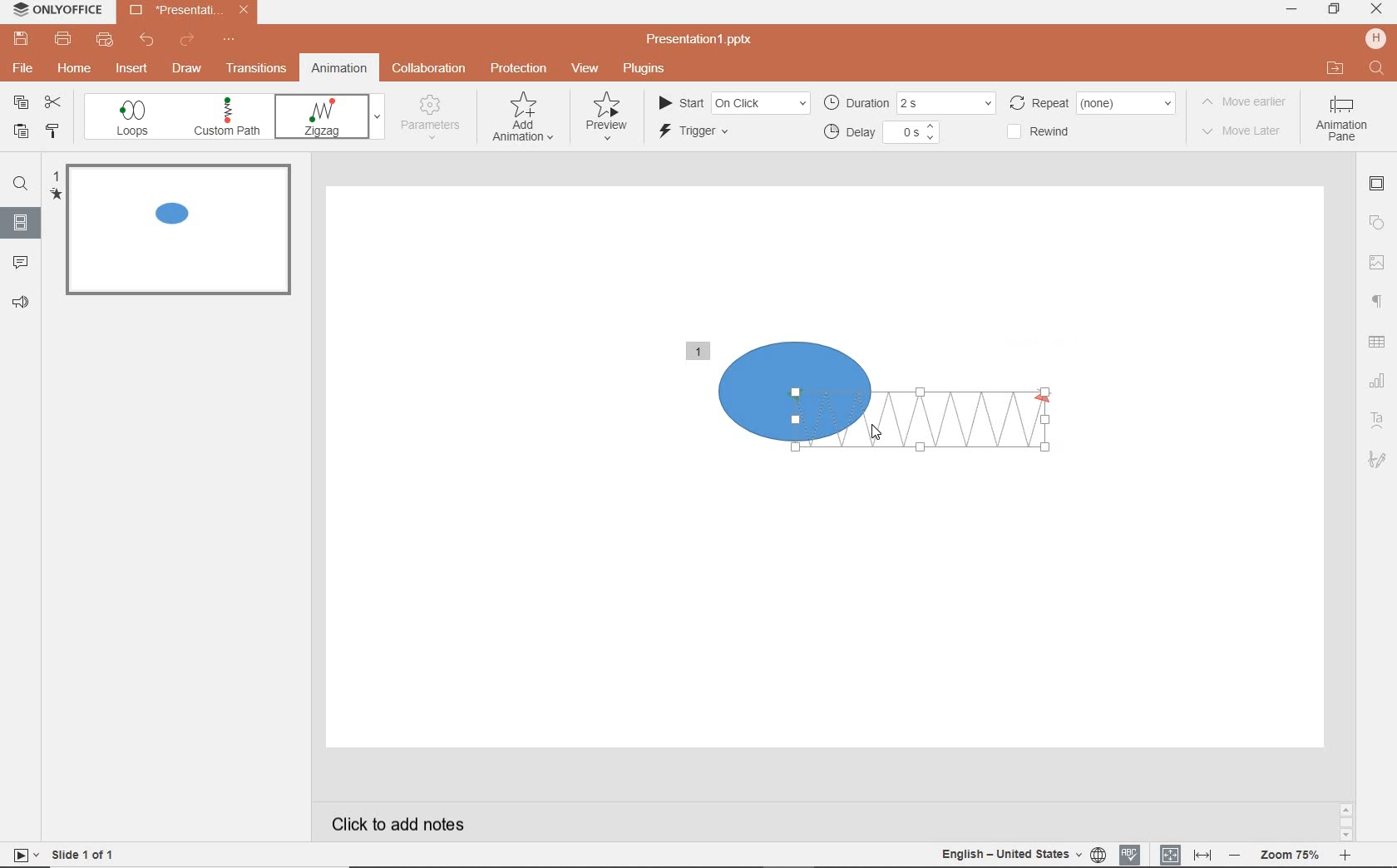 This screenshot has width=1397, height=868. Describe the element at coordinates (186, 41) in the screenshot. I see `redo` at that location.